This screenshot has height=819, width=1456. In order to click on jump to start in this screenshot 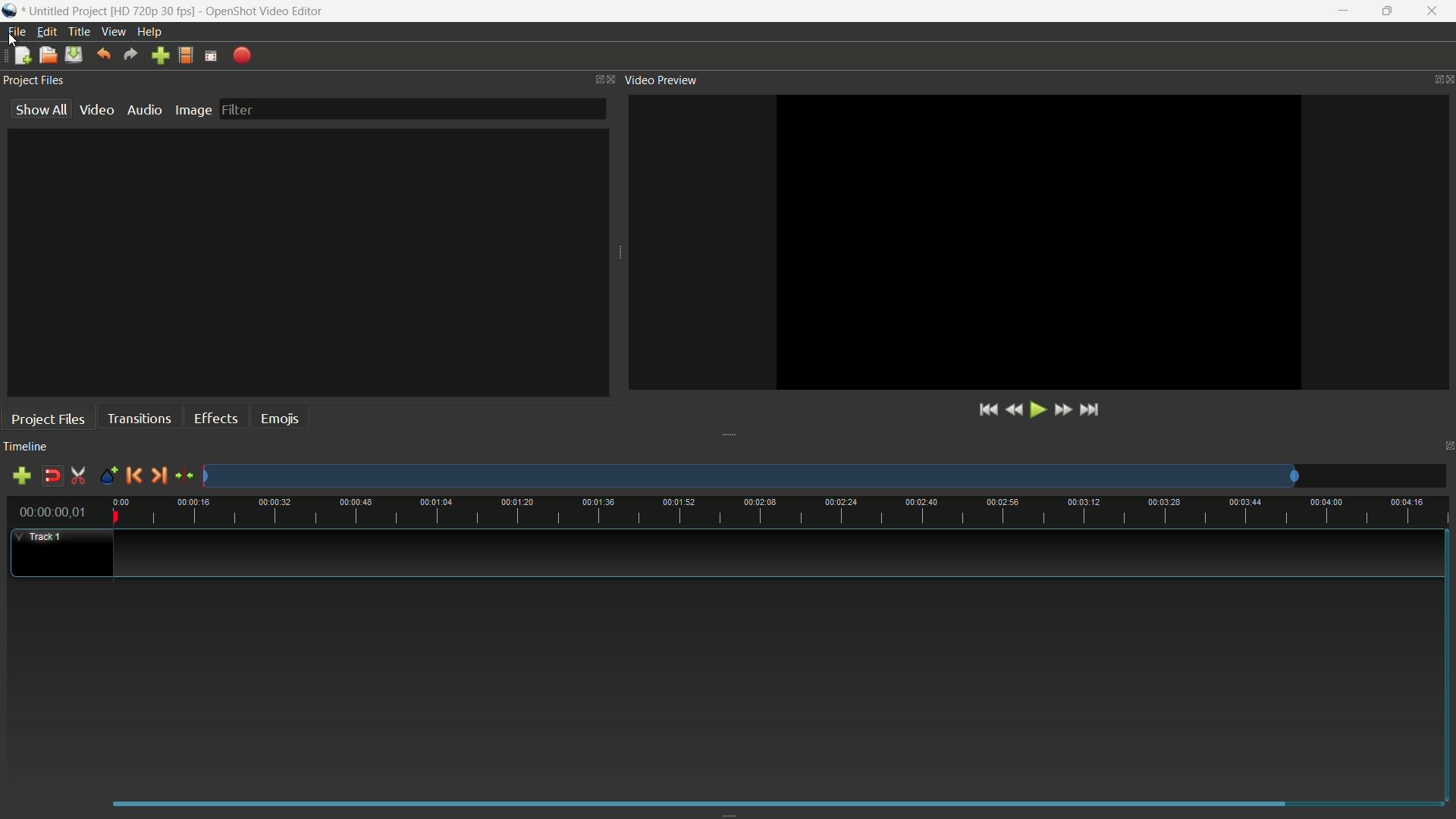, I will do `click(987, 411)`.